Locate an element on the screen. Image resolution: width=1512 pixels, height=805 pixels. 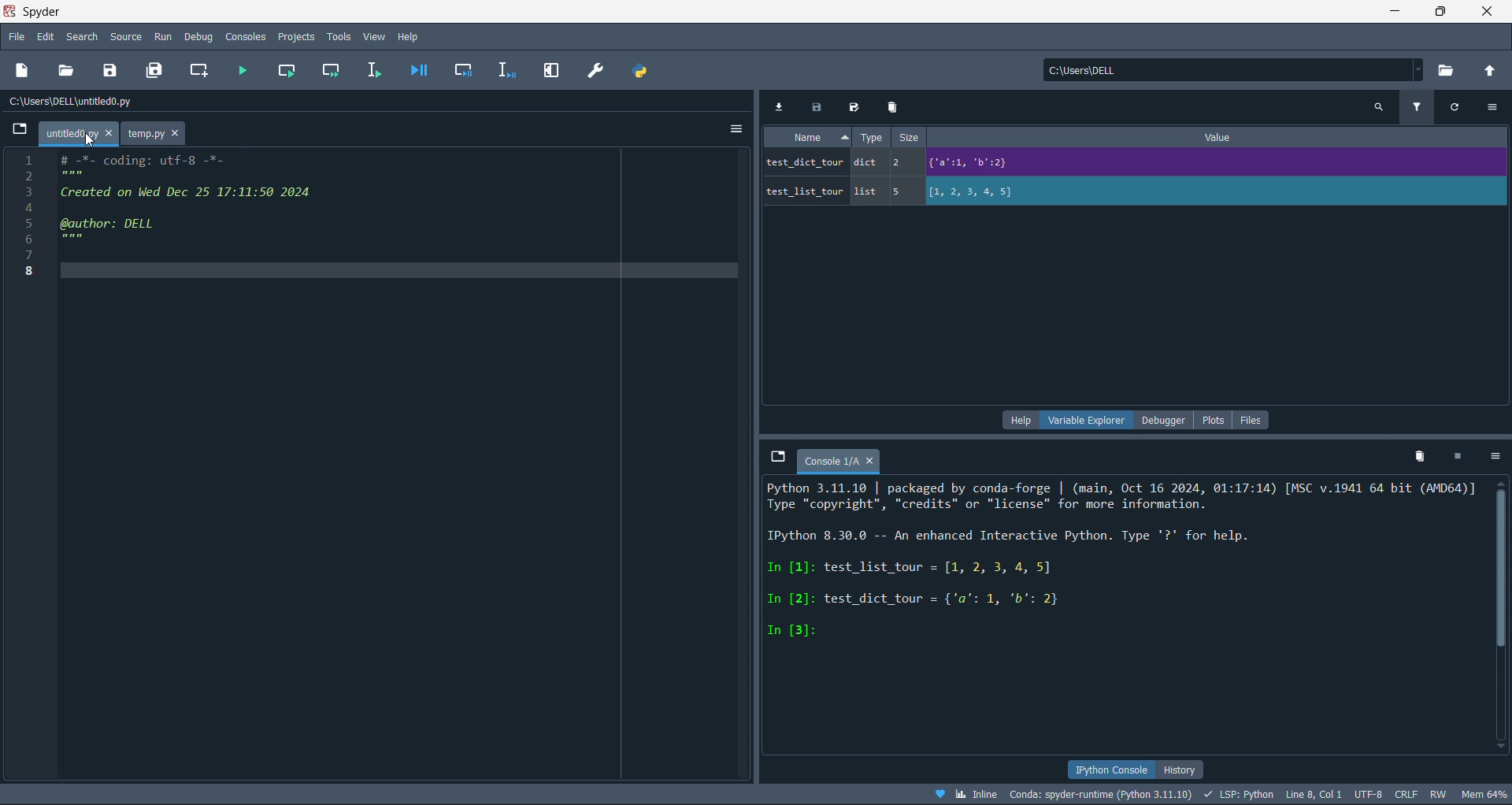
remove all variables is located at coordinates (1417, 455).